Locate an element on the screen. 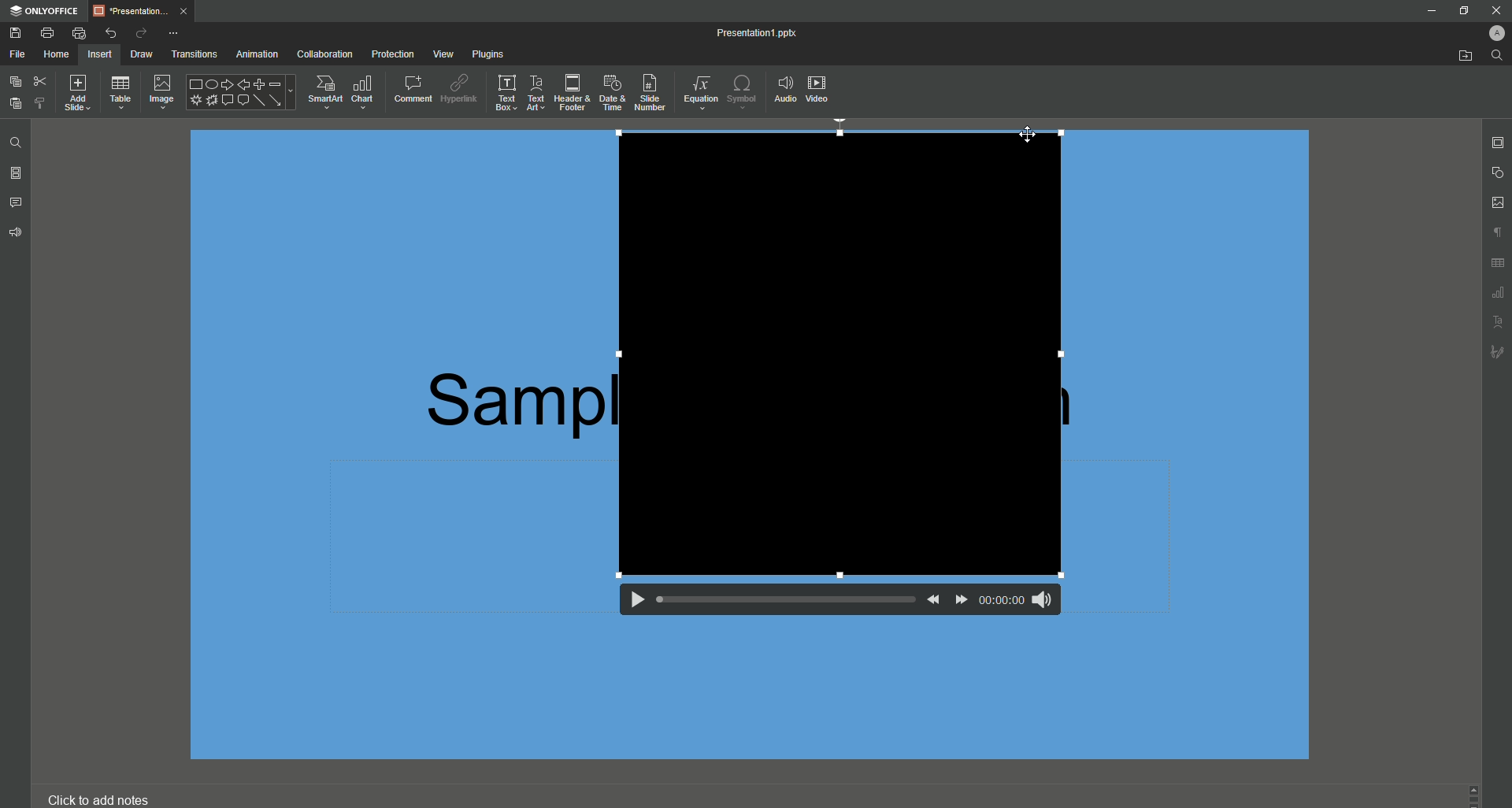 The image size is (1512, 808). Minimize is located at coordinates (1431, 10).